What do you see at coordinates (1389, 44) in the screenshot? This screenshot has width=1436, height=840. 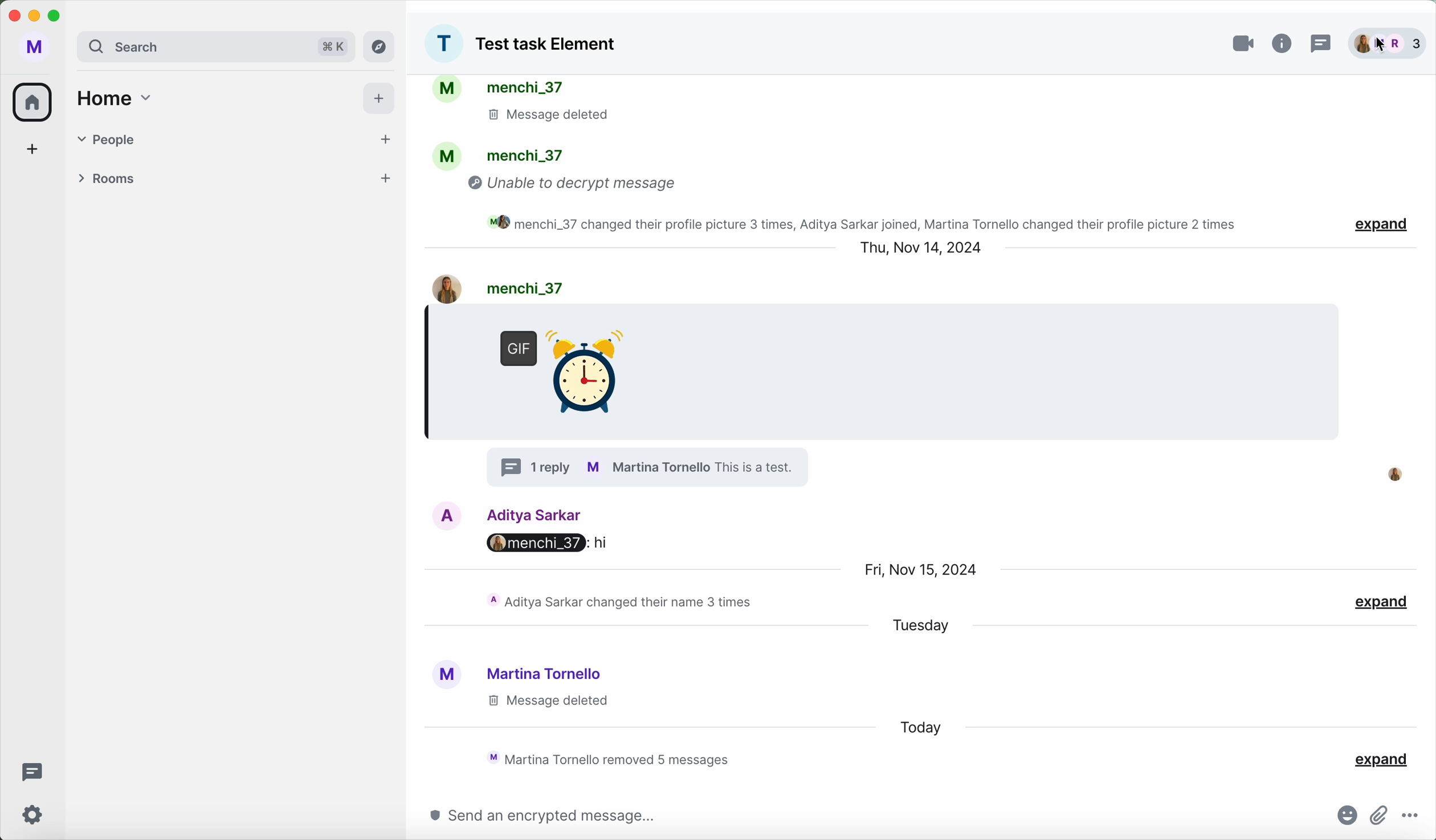 I see `people` at bounding box center [1389, 44].